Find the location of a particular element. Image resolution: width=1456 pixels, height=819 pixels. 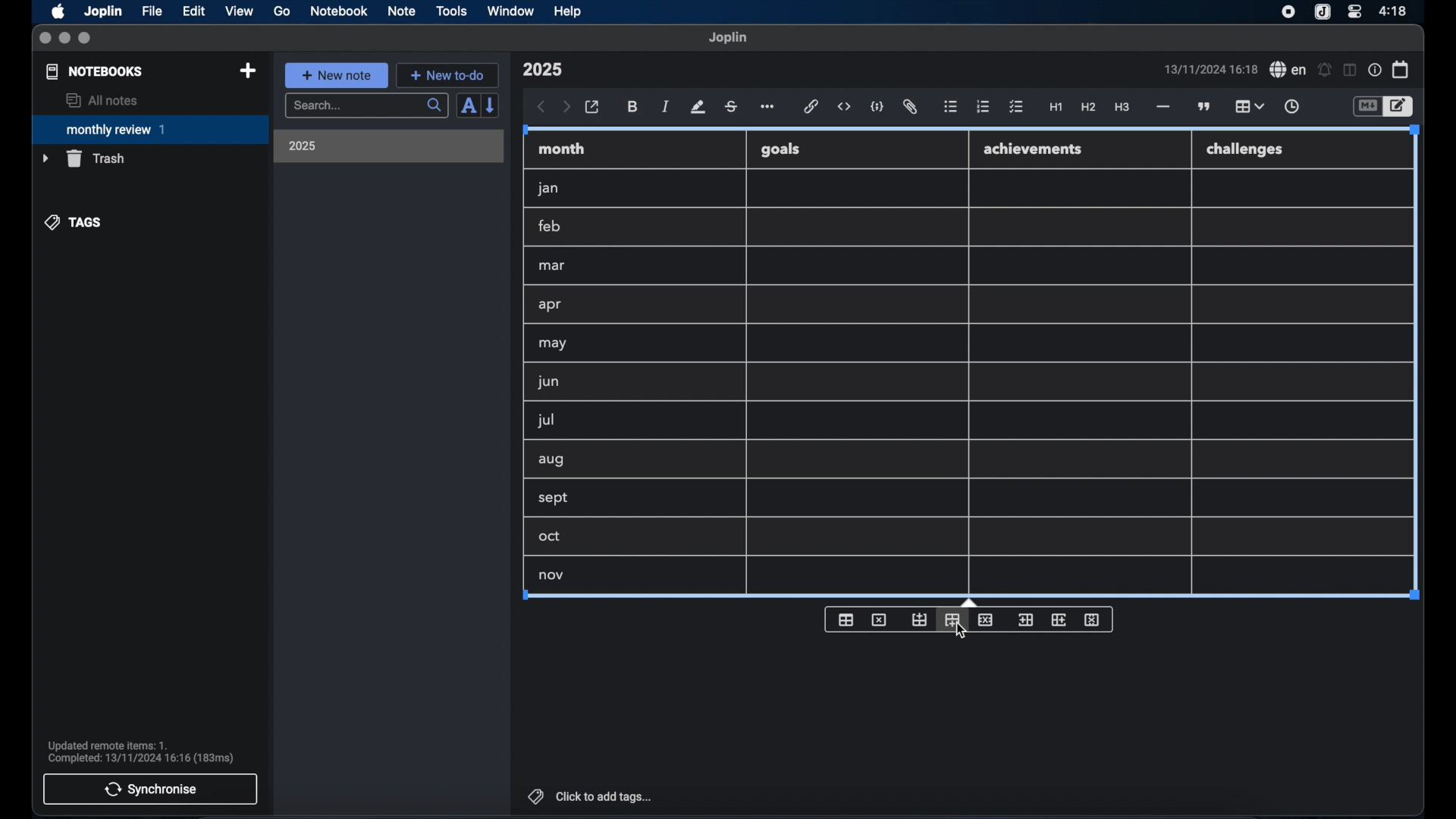

insert row before is located at coordinates (920, 620).